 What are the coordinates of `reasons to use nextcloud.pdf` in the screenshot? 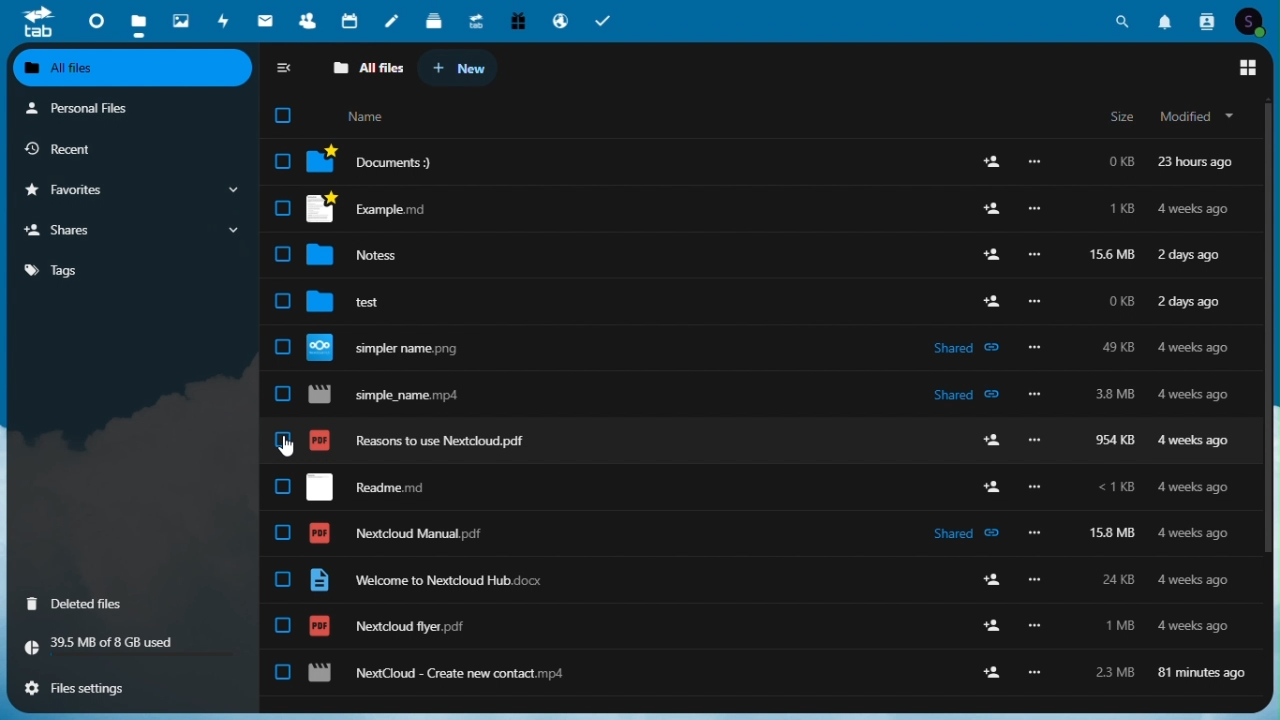 It's located at (422, 440).